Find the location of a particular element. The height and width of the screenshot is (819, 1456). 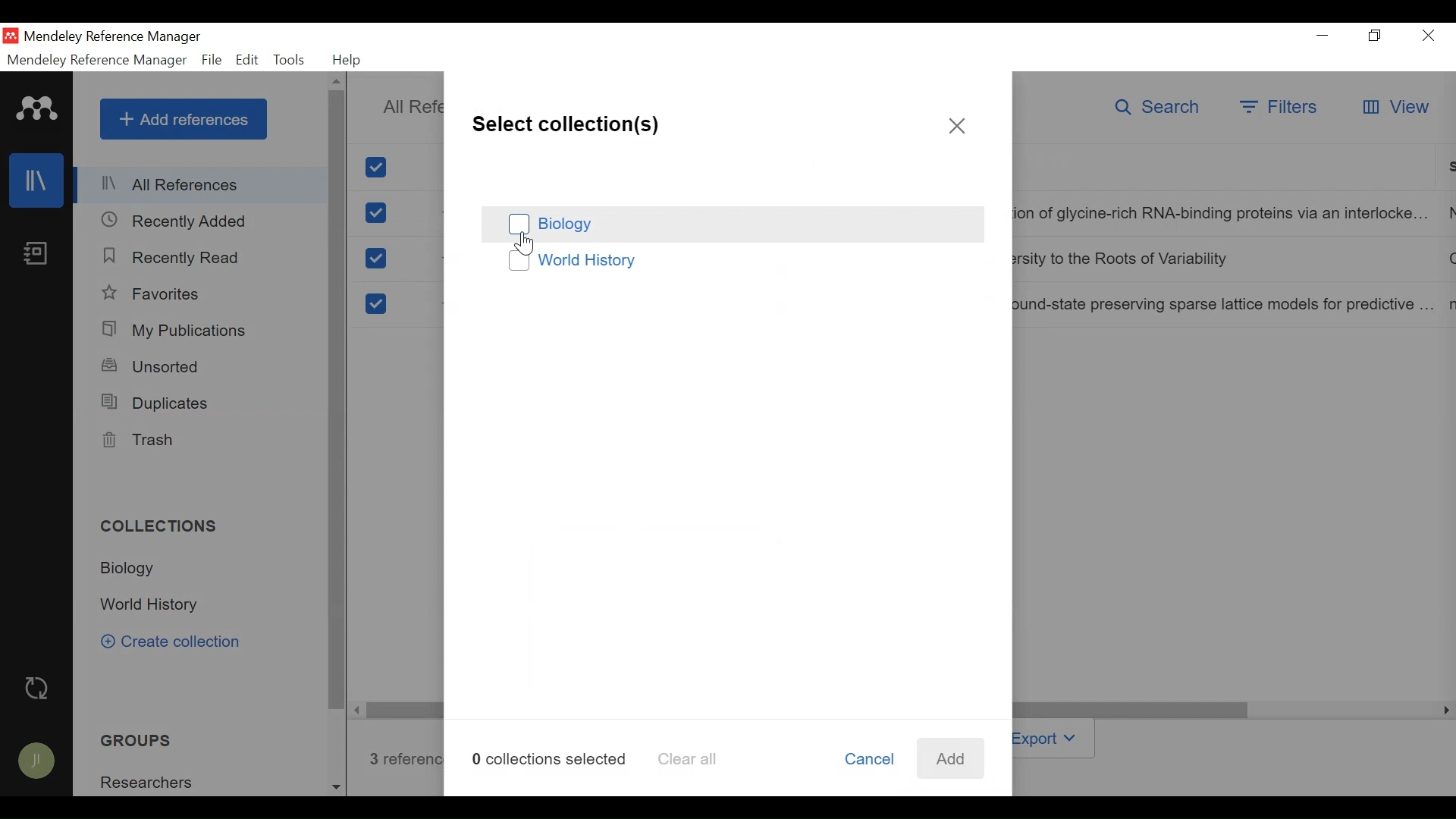

Help is located at coordinates (350, 60).